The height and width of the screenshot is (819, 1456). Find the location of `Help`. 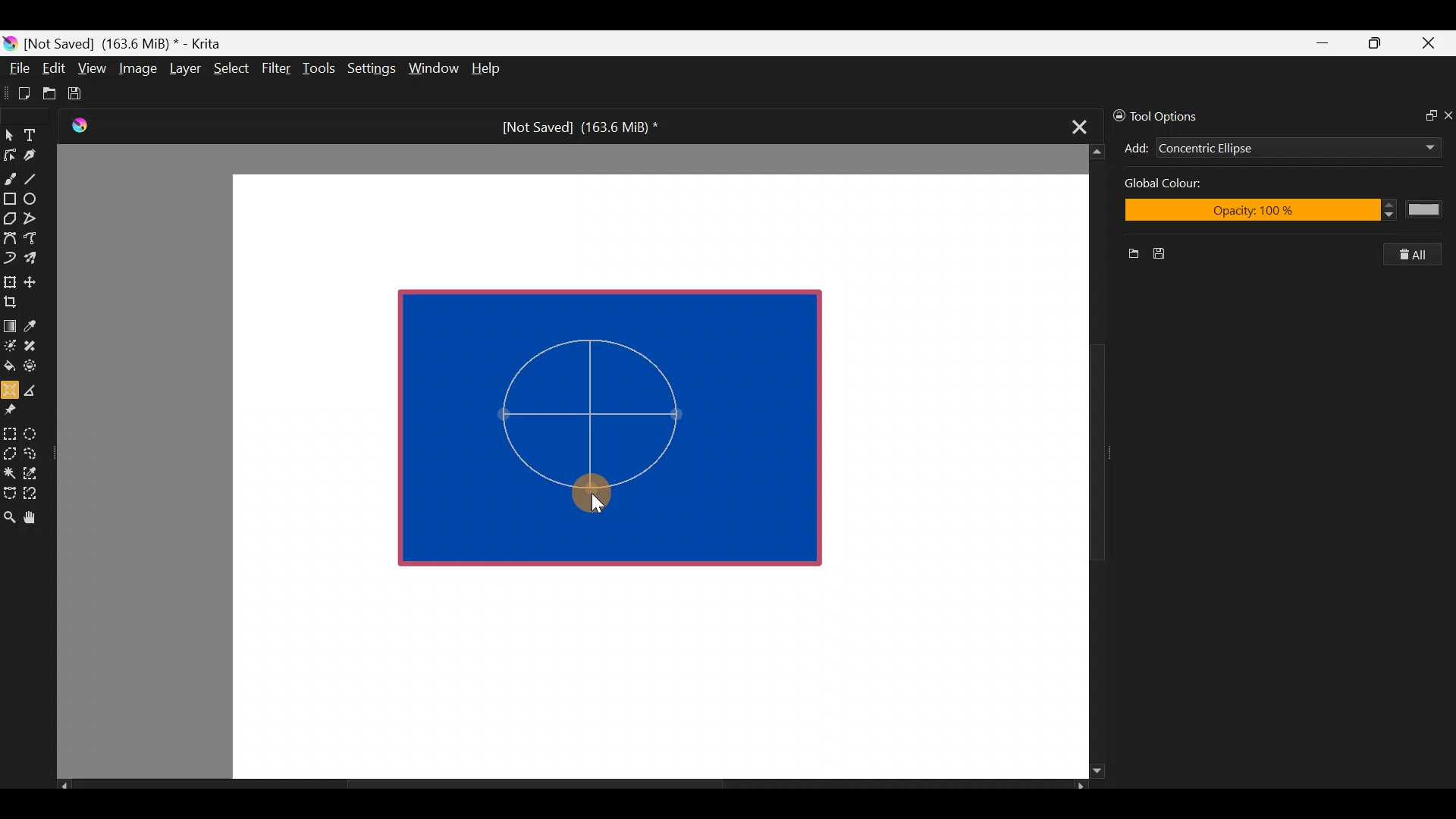

Help is located at coordinates (488, 70).